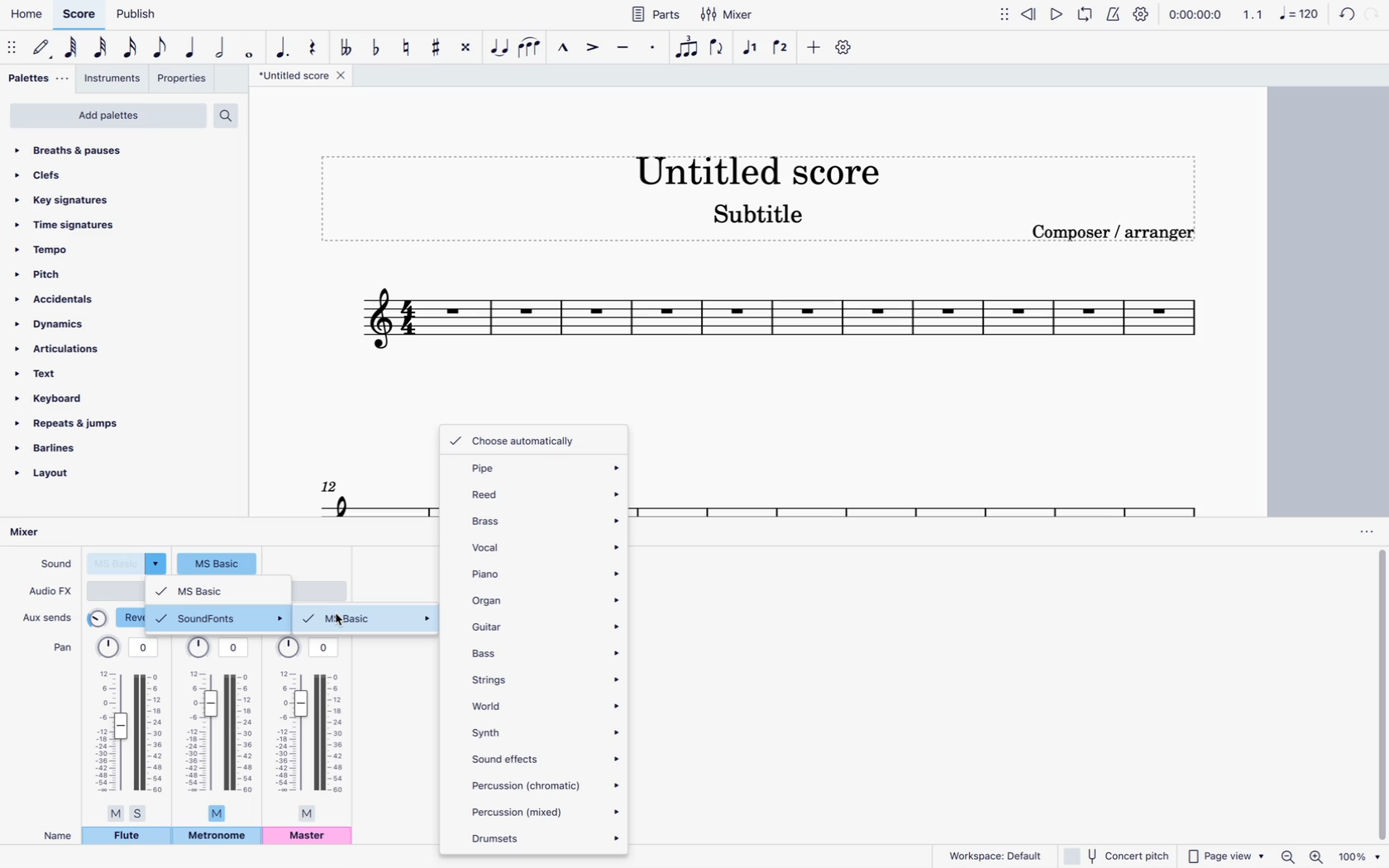 This screenshot has width=1389, height=868. Describe the element at coordinates (1291, 856) in the screenshot. I see `zoom out` at that location.